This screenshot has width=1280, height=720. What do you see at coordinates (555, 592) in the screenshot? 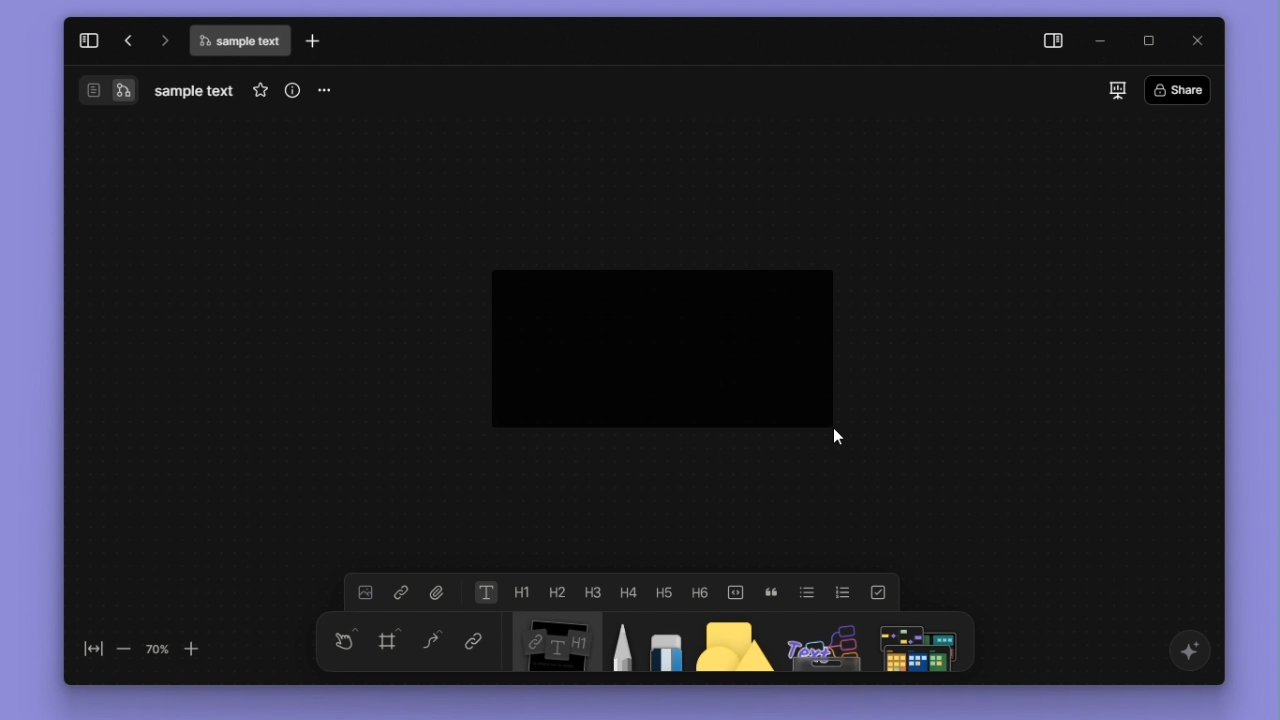
I see `heading 2` at bounding box center [555, 592].